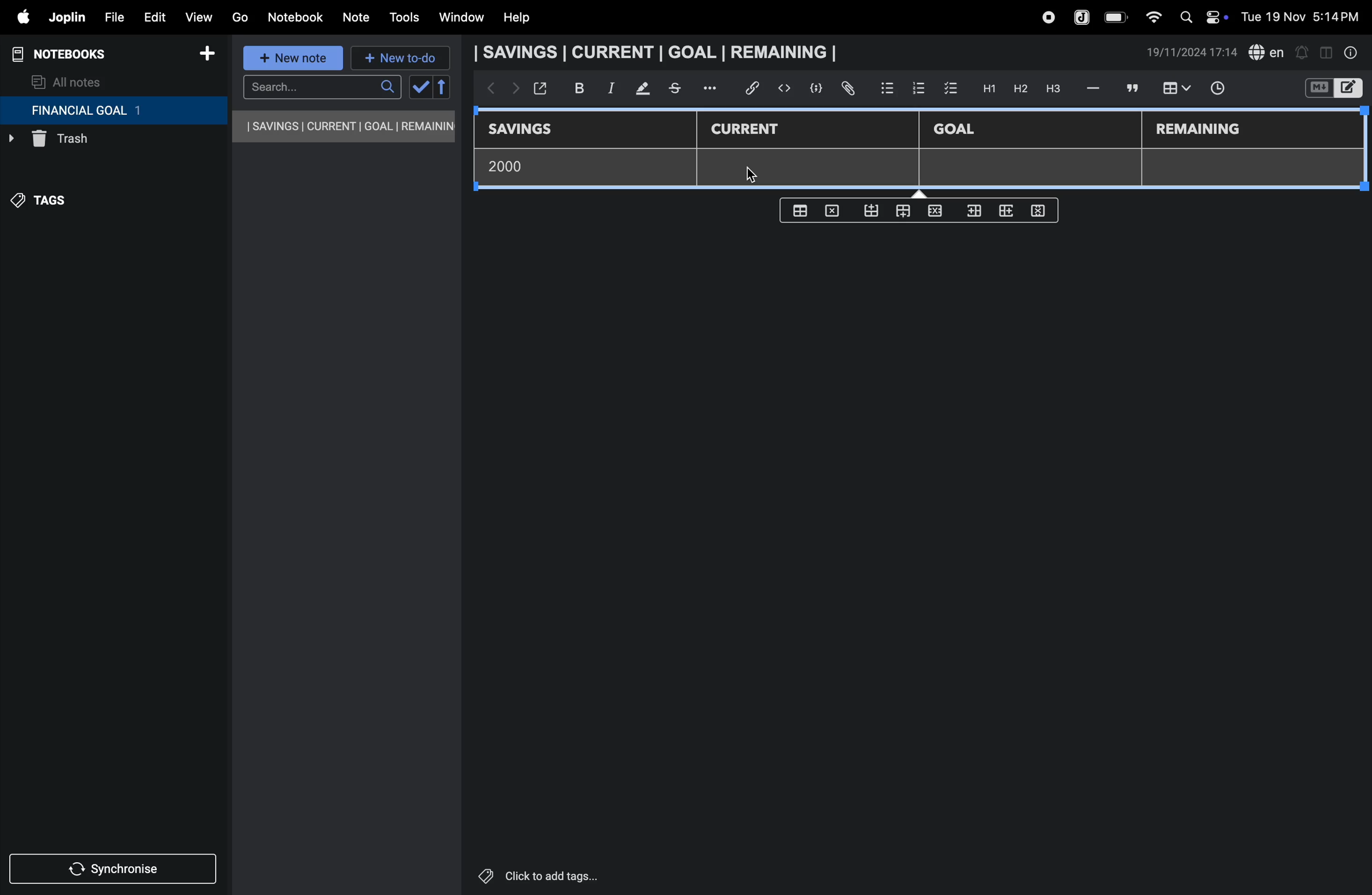  I want to click on H1, so click(987, 89).